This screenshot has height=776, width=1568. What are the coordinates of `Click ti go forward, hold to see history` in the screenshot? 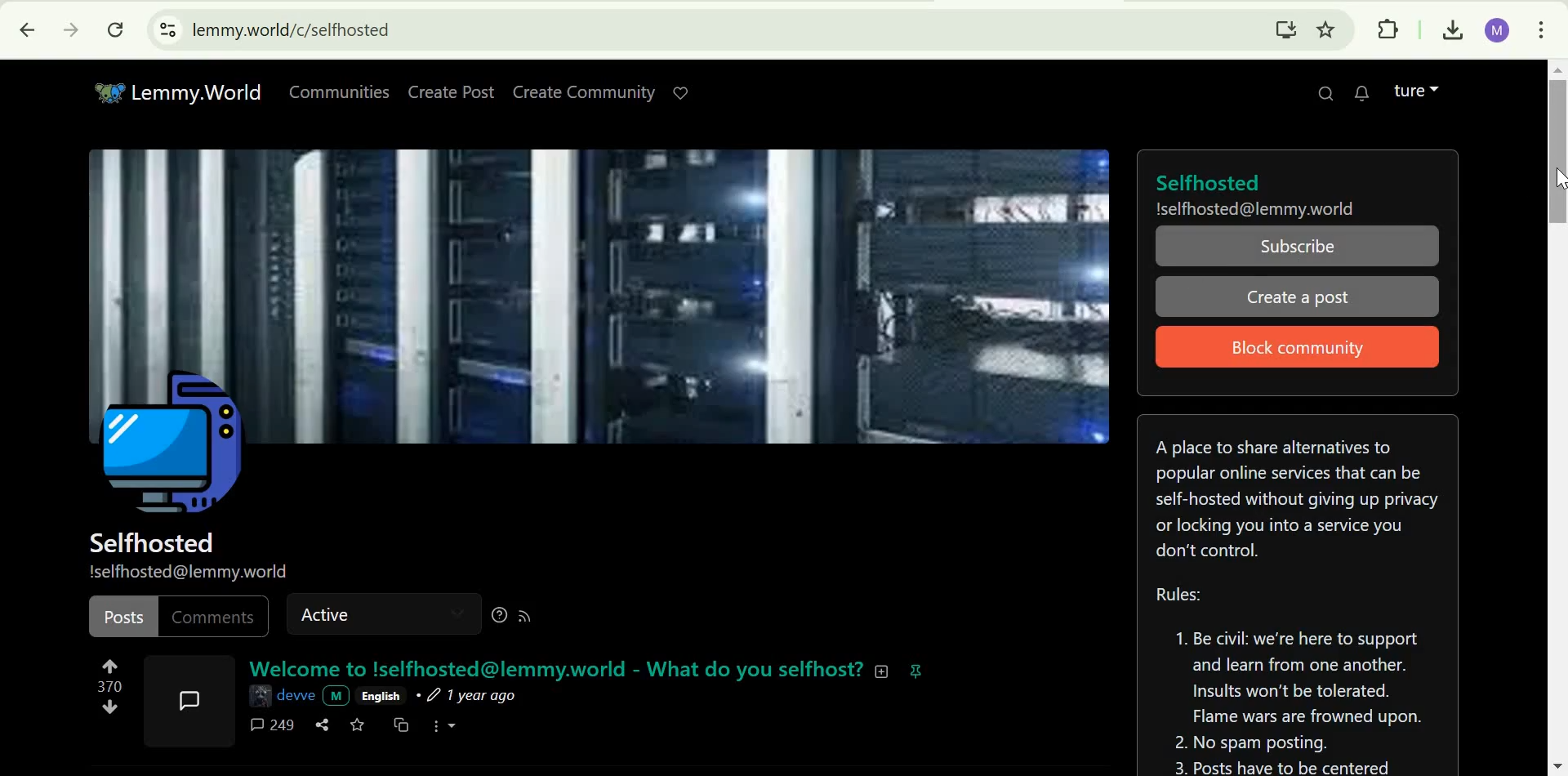 It's located at (71, 29).